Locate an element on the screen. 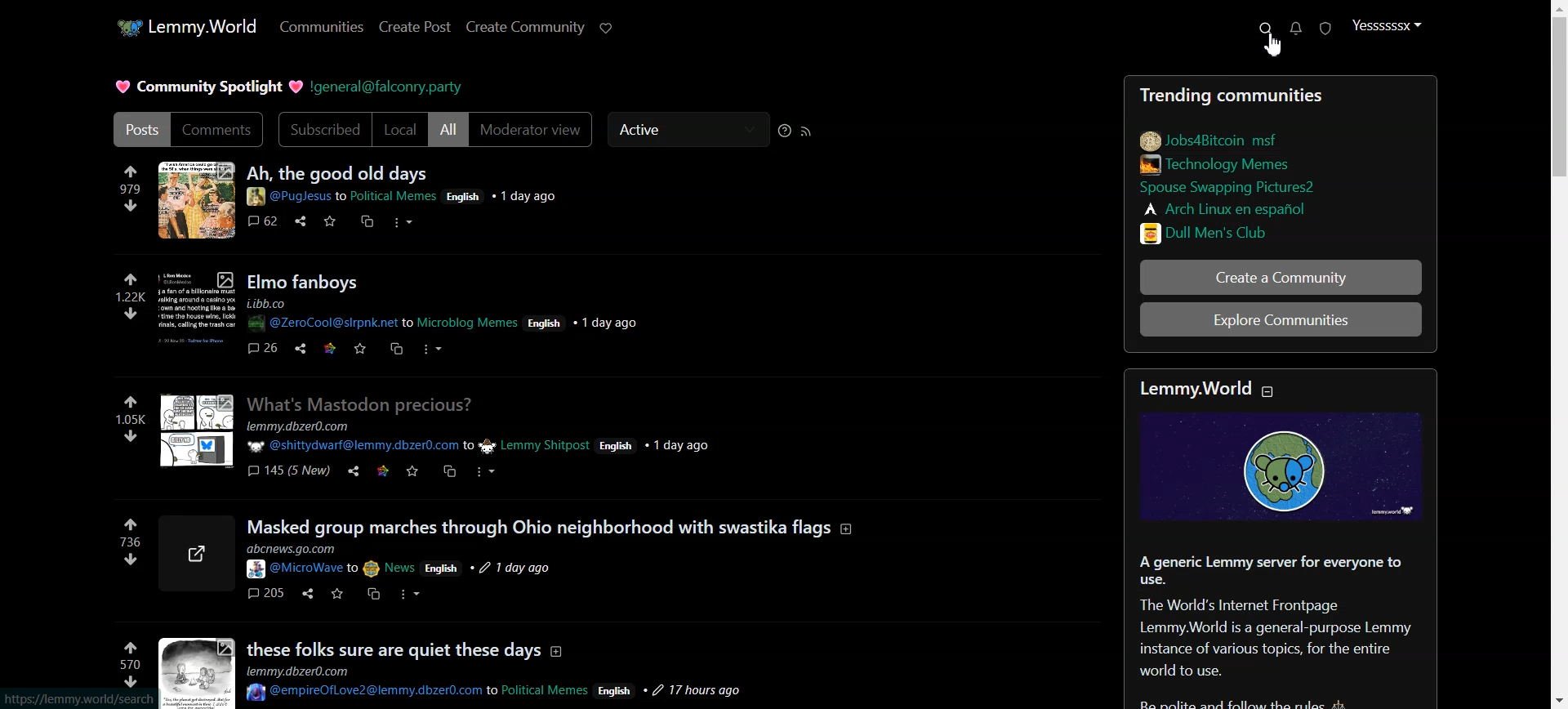 The height and width of the screenshot is (709, 1568). cross post is located at coordinates (396, 350).